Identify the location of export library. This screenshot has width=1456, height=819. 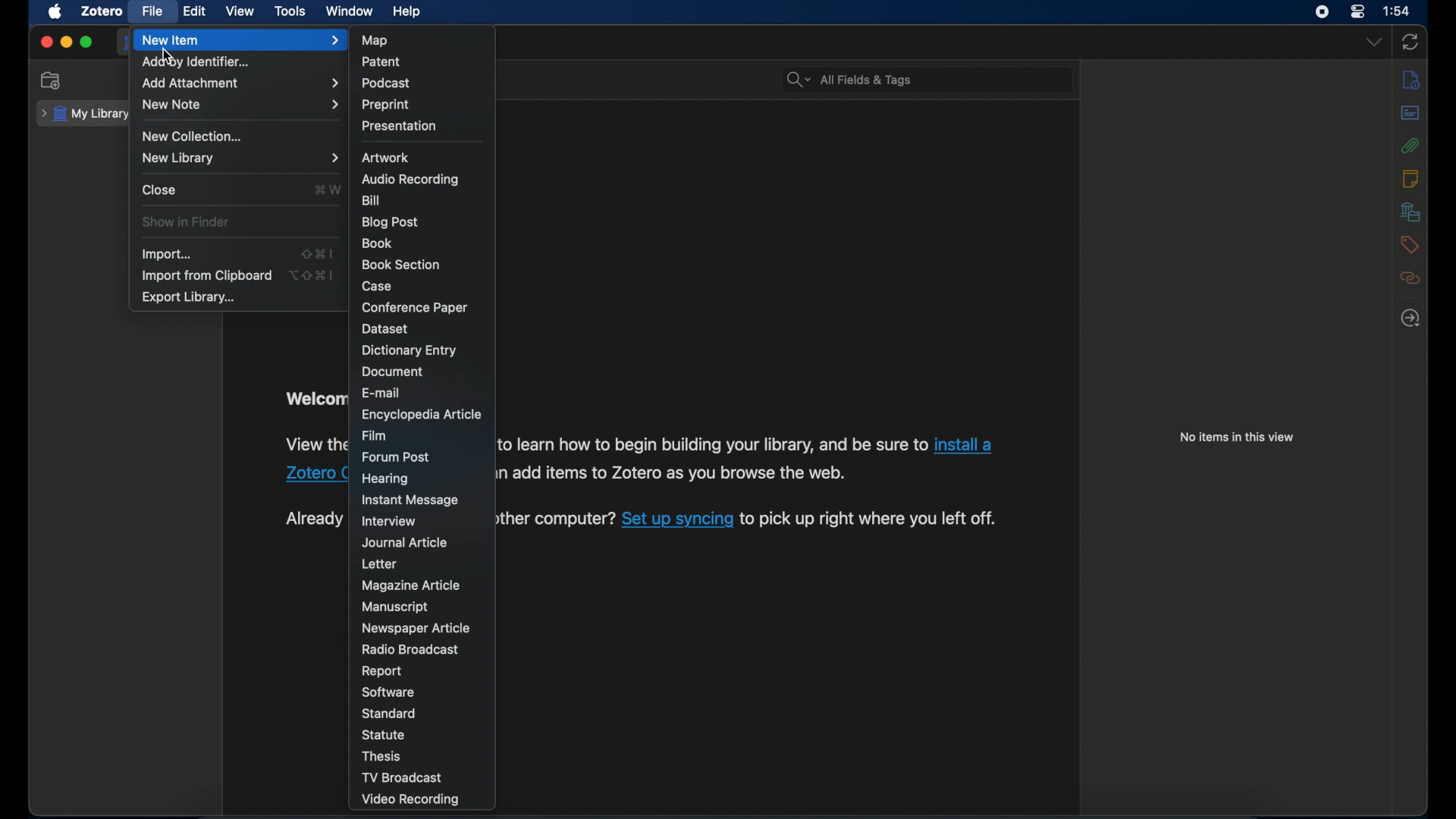
(190, 298).